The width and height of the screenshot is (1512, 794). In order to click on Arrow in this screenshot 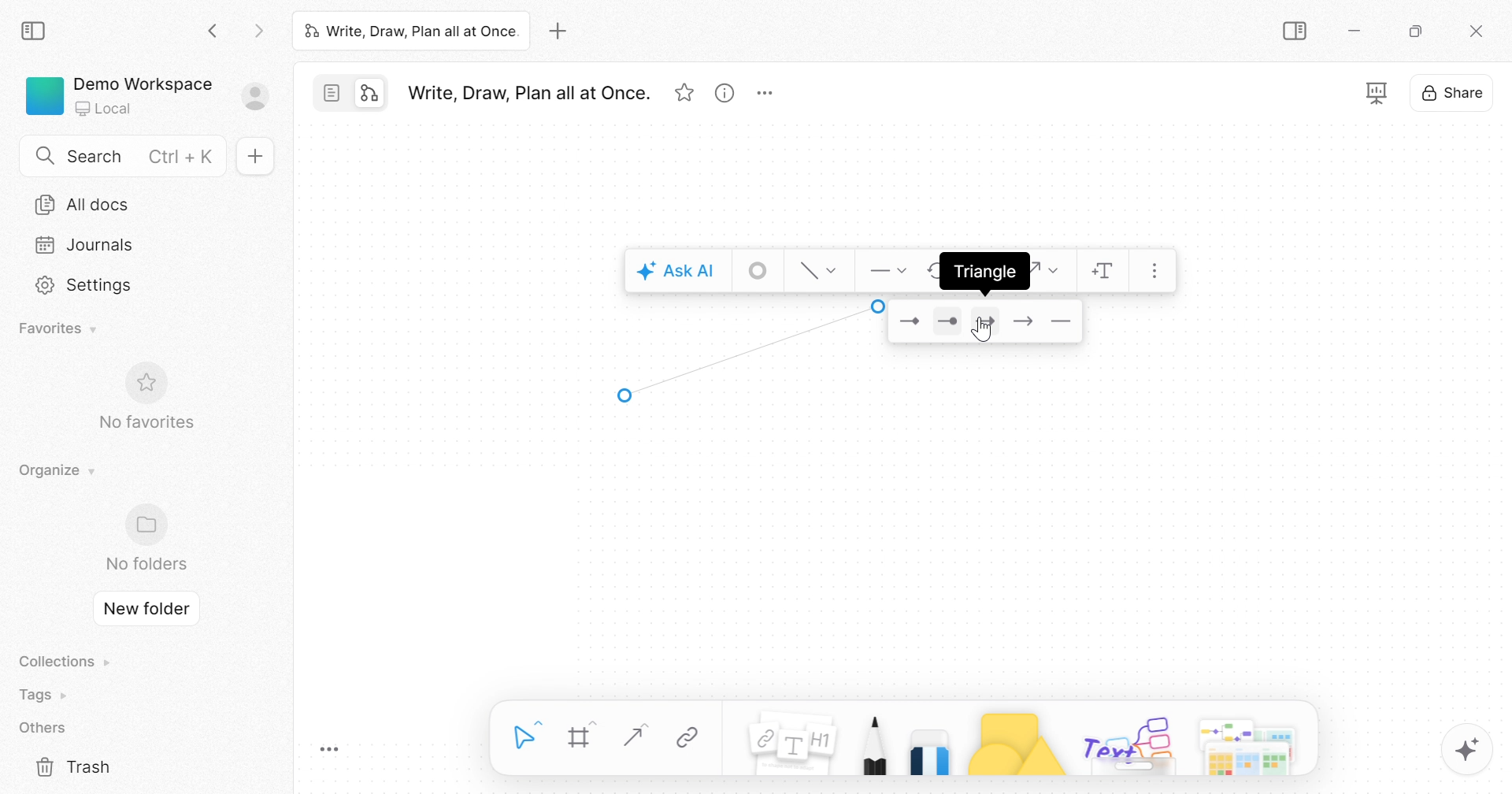, I will do `click(1025, 325)`.